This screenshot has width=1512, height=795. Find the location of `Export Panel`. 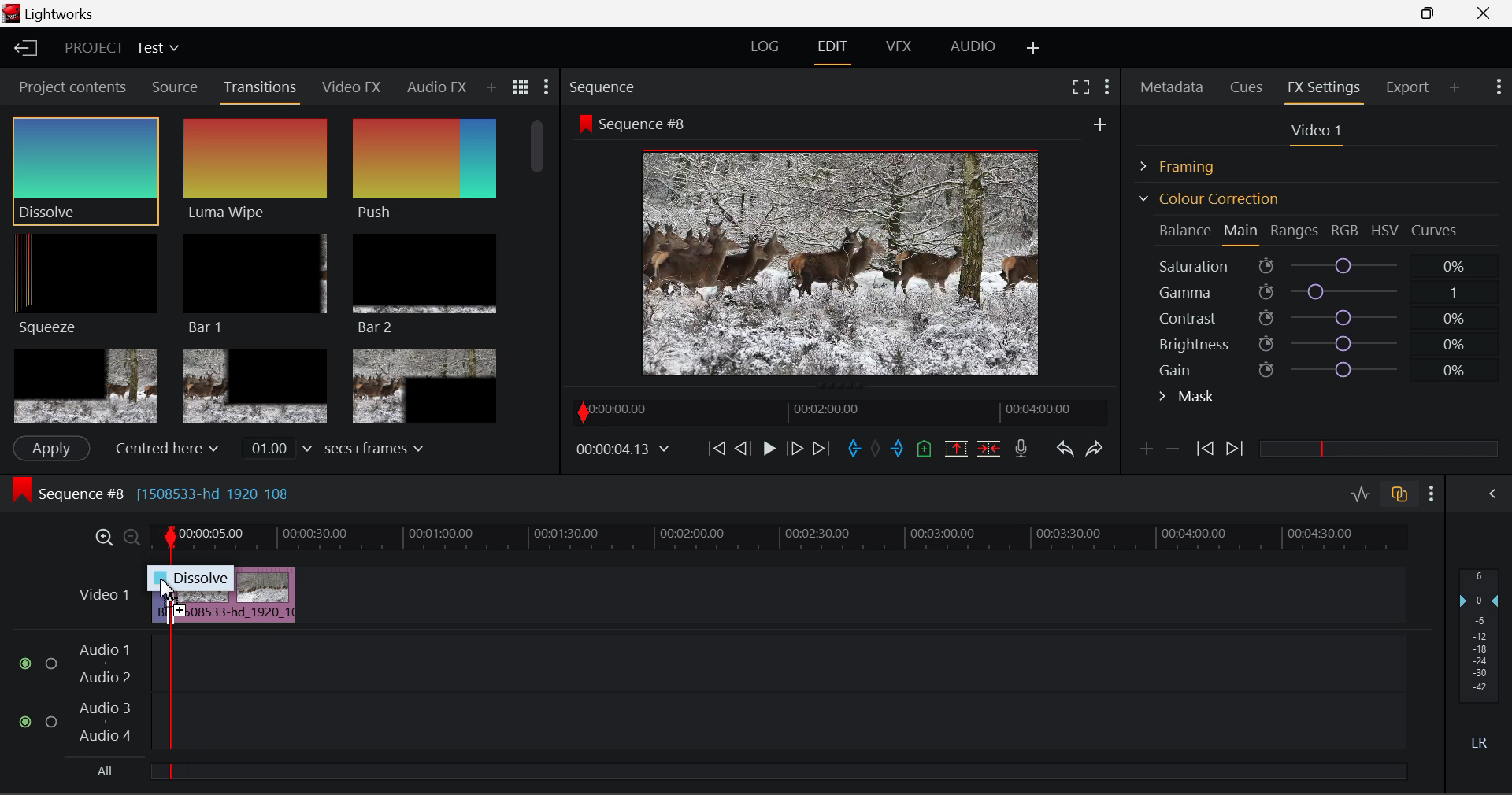

Export Panel is located at coordinates (1410, 87).